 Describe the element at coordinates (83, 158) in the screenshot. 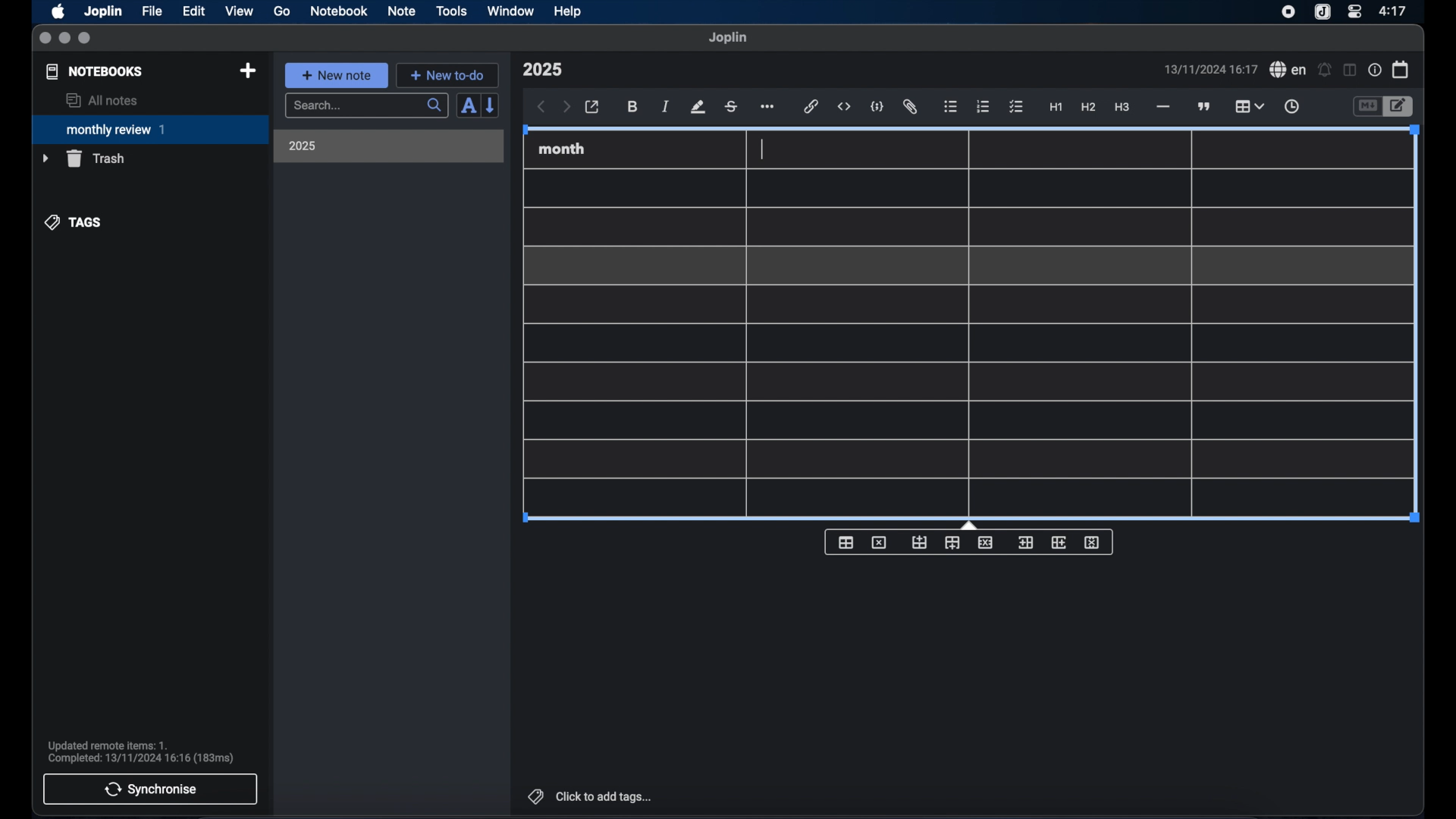

I see `trash` at that location.